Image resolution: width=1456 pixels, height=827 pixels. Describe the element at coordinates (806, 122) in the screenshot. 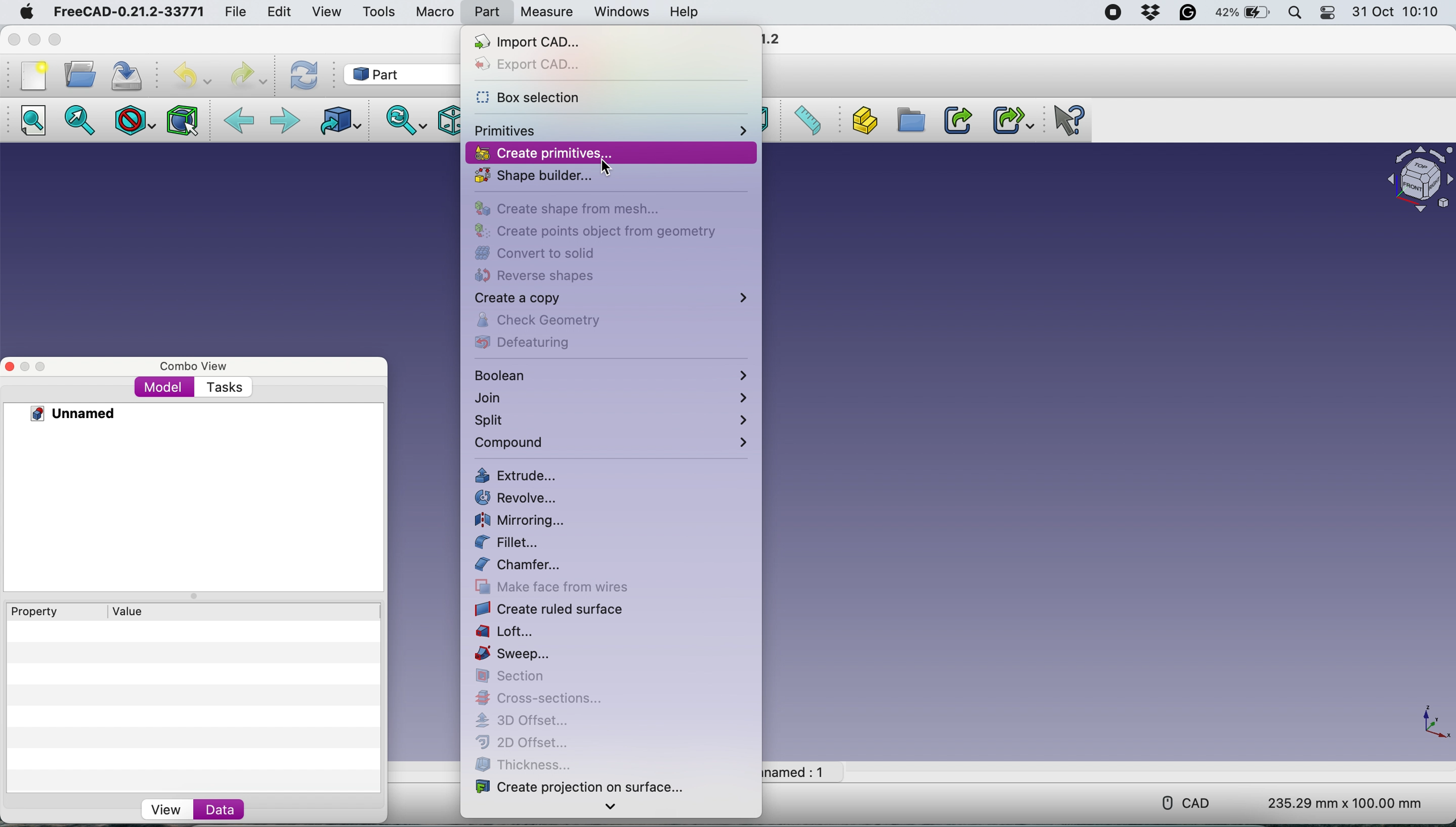

I see `Measure distance` at that location.